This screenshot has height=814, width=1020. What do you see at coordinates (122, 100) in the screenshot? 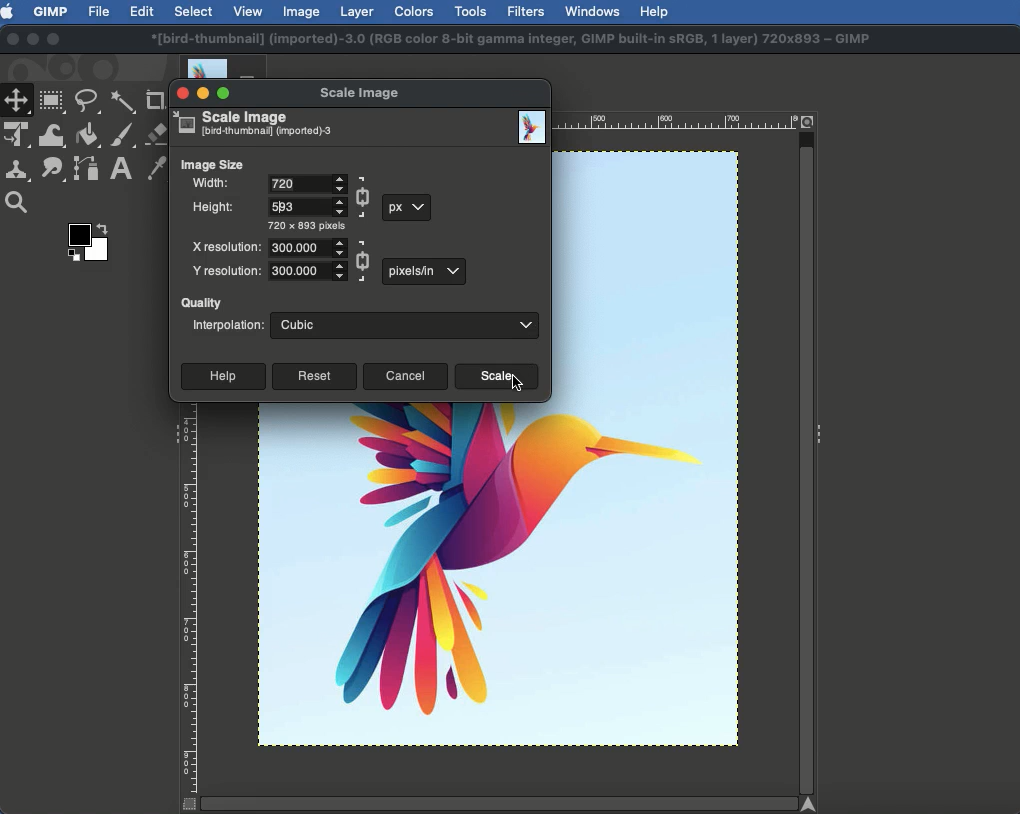
I see `Fuzzy selector` at bounding box center [122, 100].